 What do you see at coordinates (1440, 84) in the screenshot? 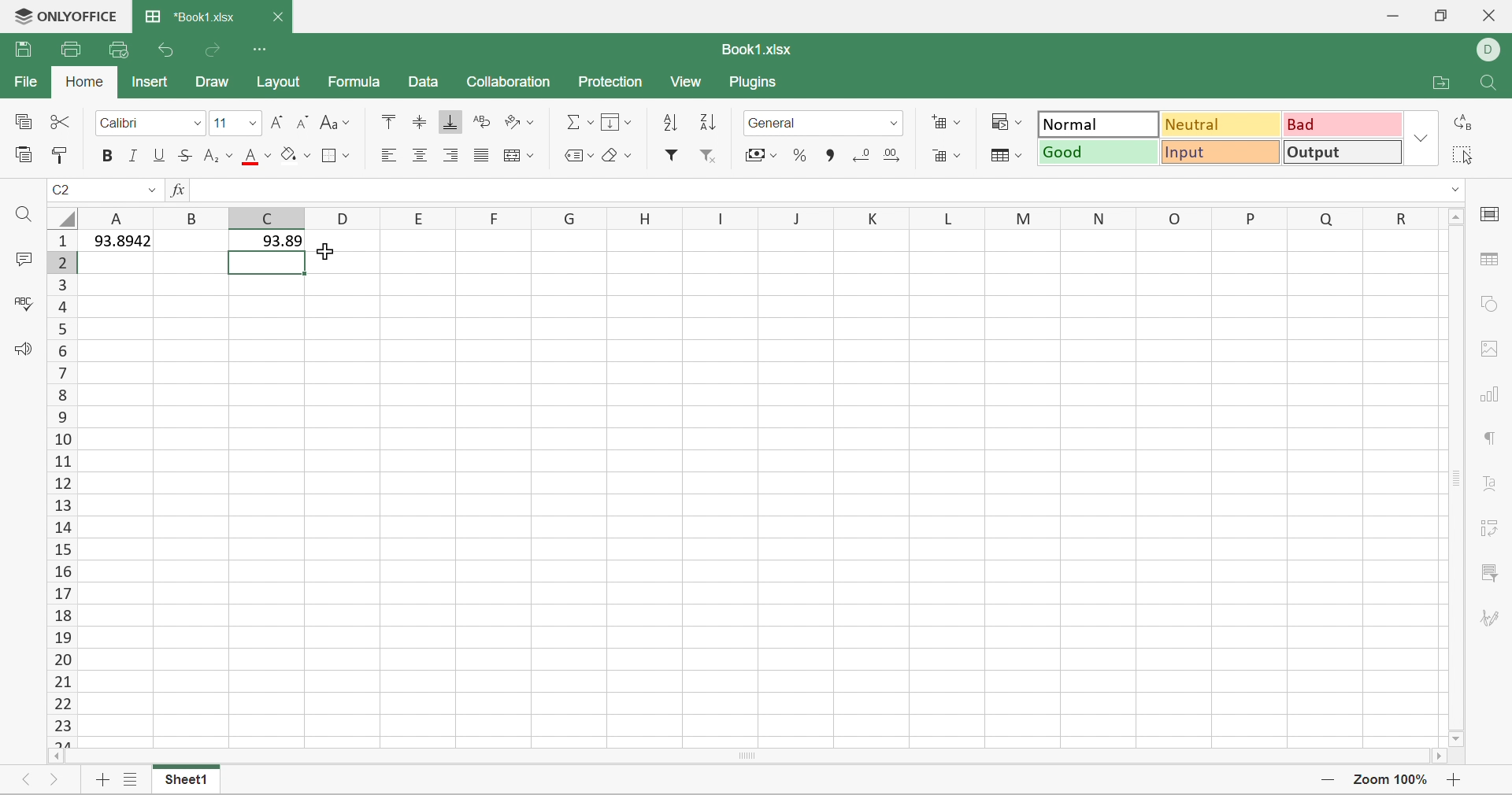
I see `Open file location` at bounding box center [1440, 84].